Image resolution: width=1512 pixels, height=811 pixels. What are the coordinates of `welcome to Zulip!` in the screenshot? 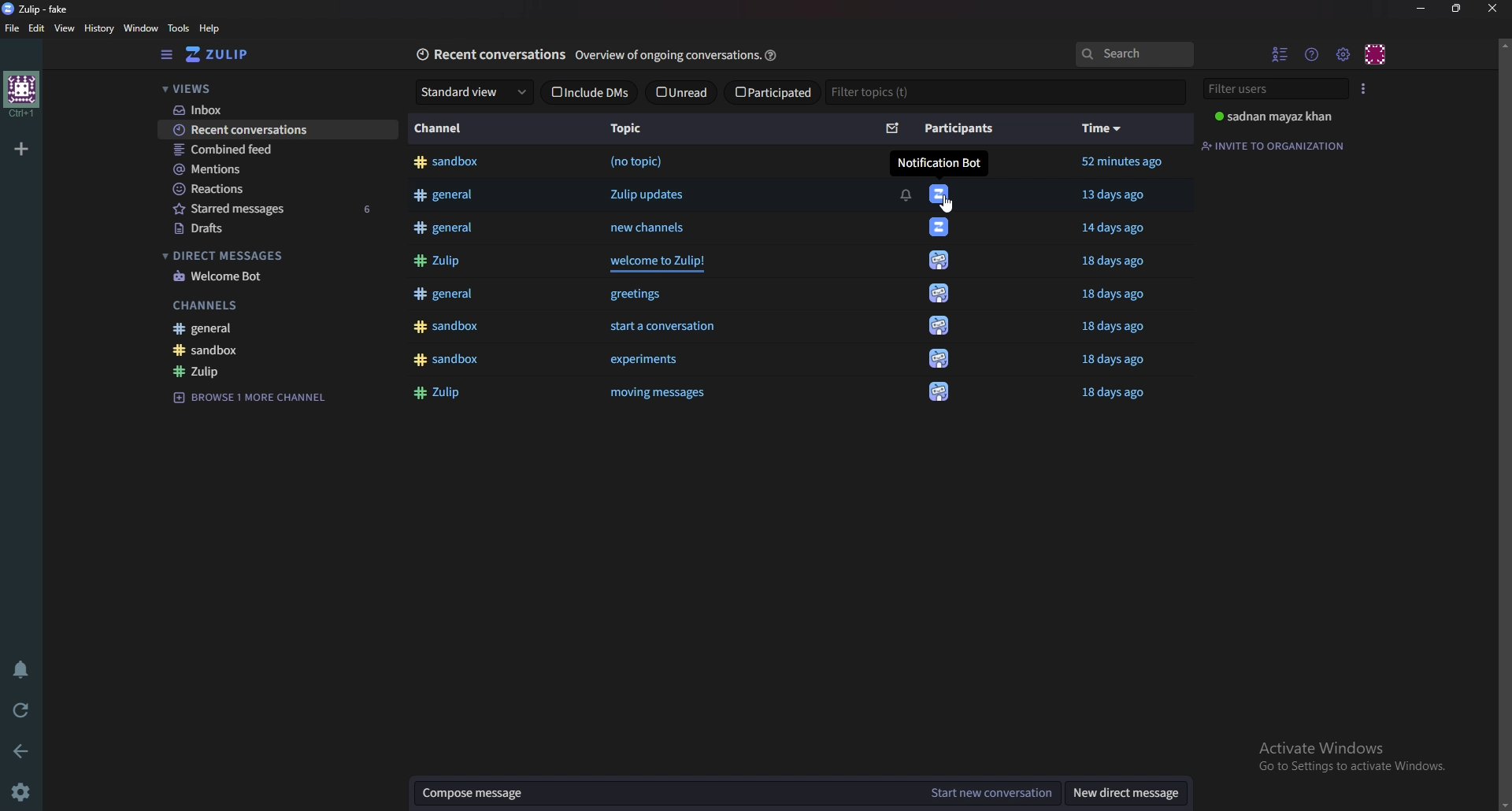 It's located at (664, 262).